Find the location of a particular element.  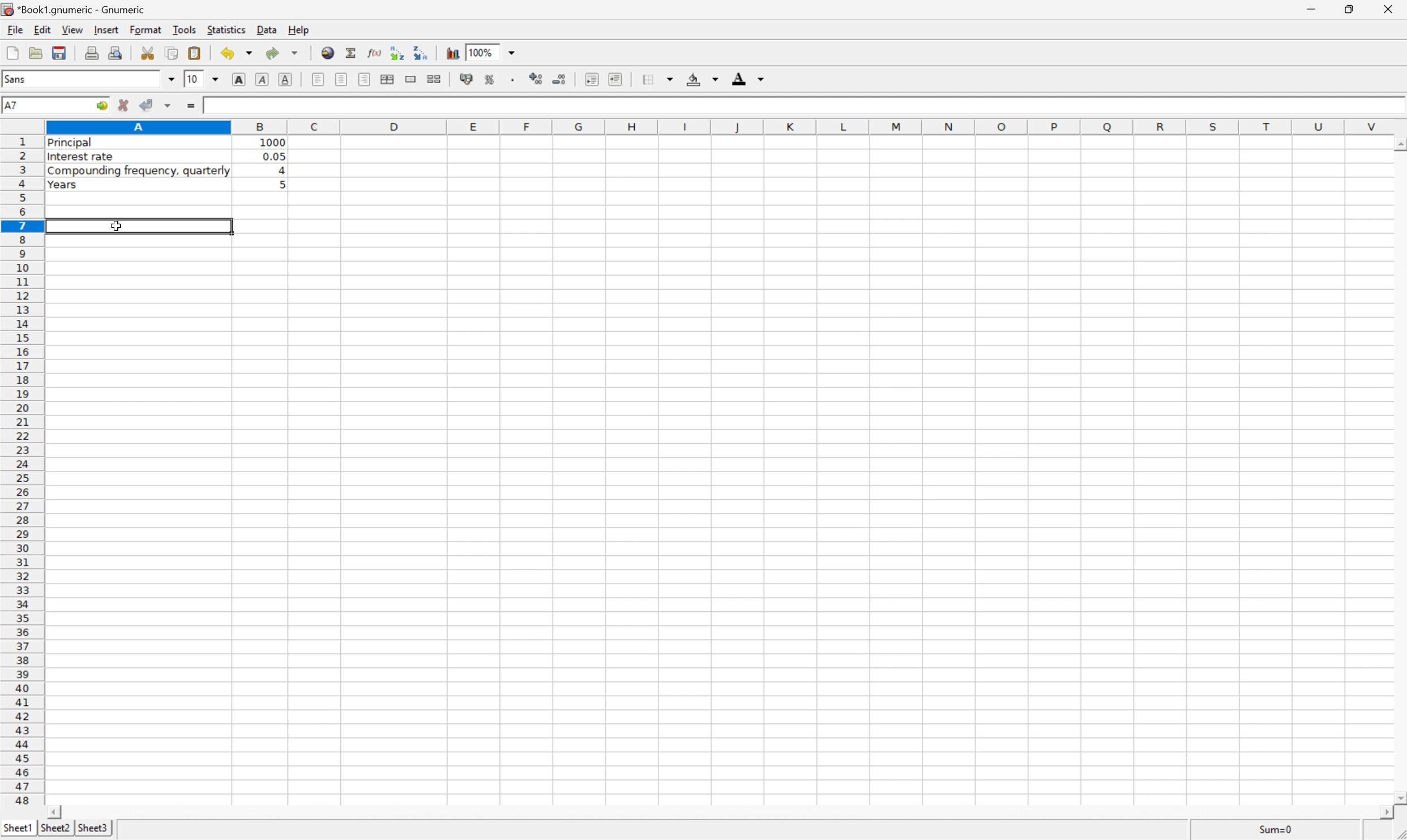

scroll up is located at coordinates (1398, 147).